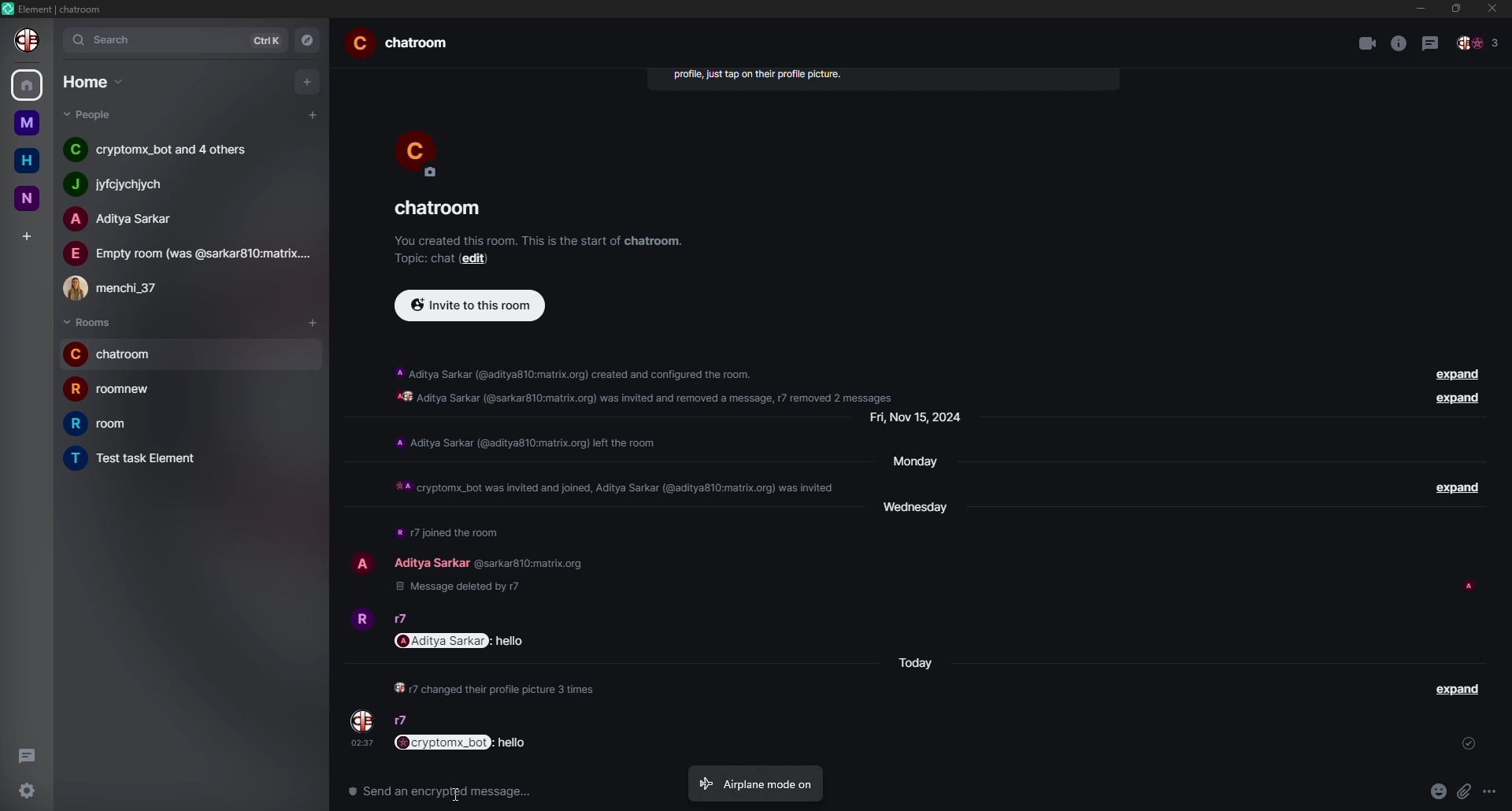  Describe the element at coordinates (25, 233) in the screenshot. I see `add` at that location.